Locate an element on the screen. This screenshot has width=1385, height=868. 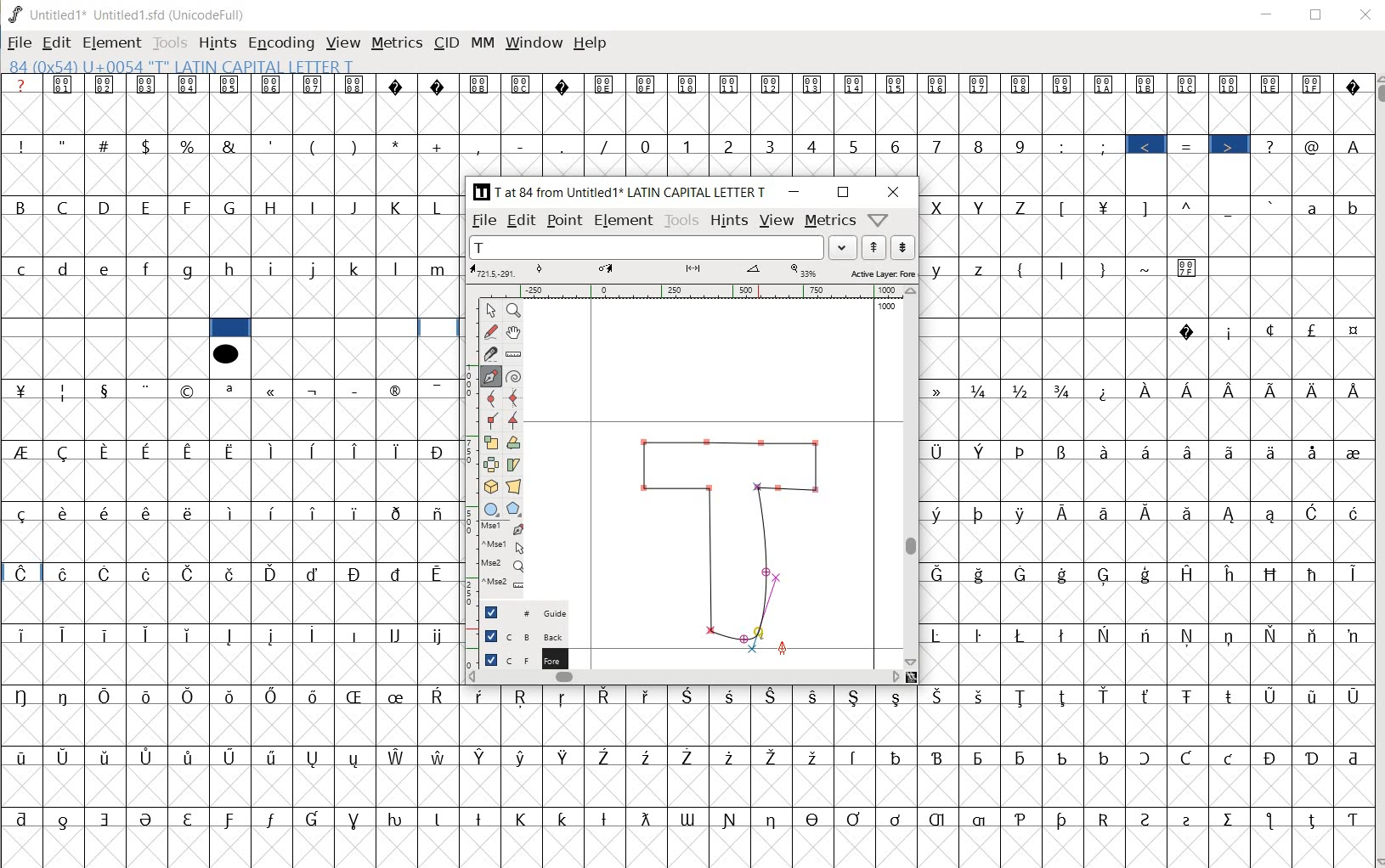
point is located at coordinates (563, 221).